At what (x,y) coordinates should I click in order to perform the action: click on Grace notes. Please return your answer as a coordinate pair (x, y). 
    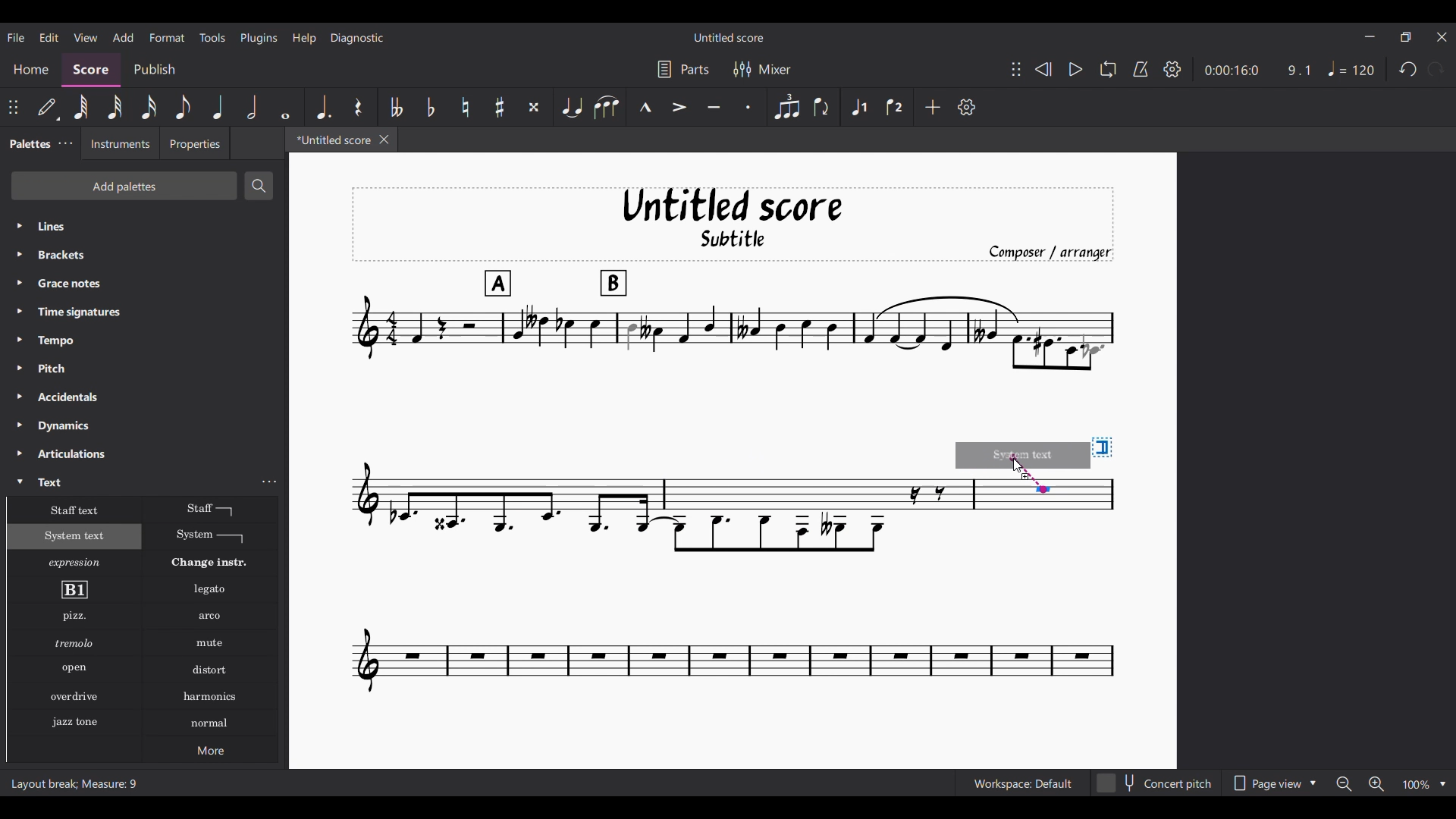
    Looking at the image, I should click on (144, 283).